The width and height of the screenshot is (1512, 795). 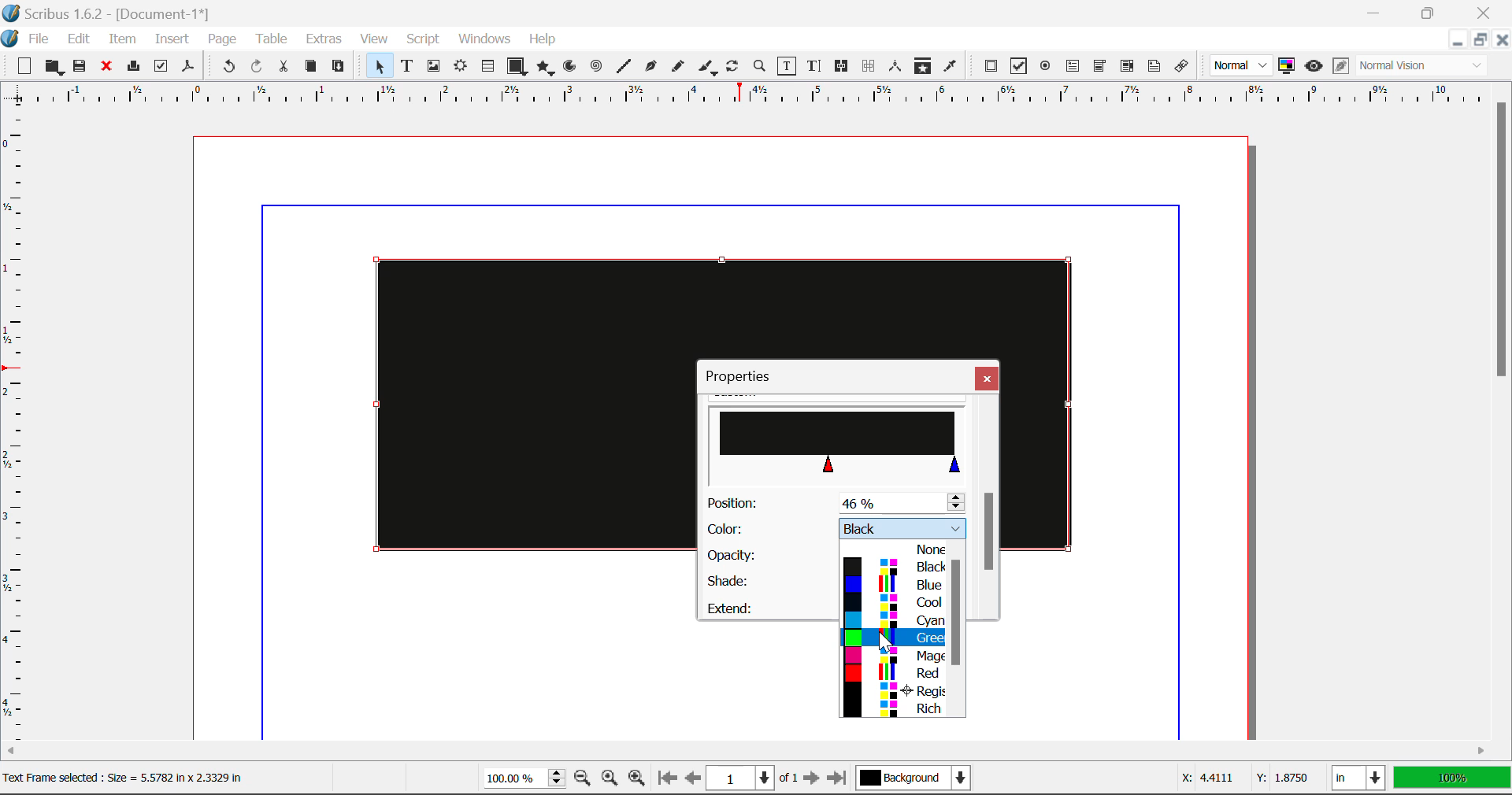 I want to click on Cut, so click(x=283, y=67).